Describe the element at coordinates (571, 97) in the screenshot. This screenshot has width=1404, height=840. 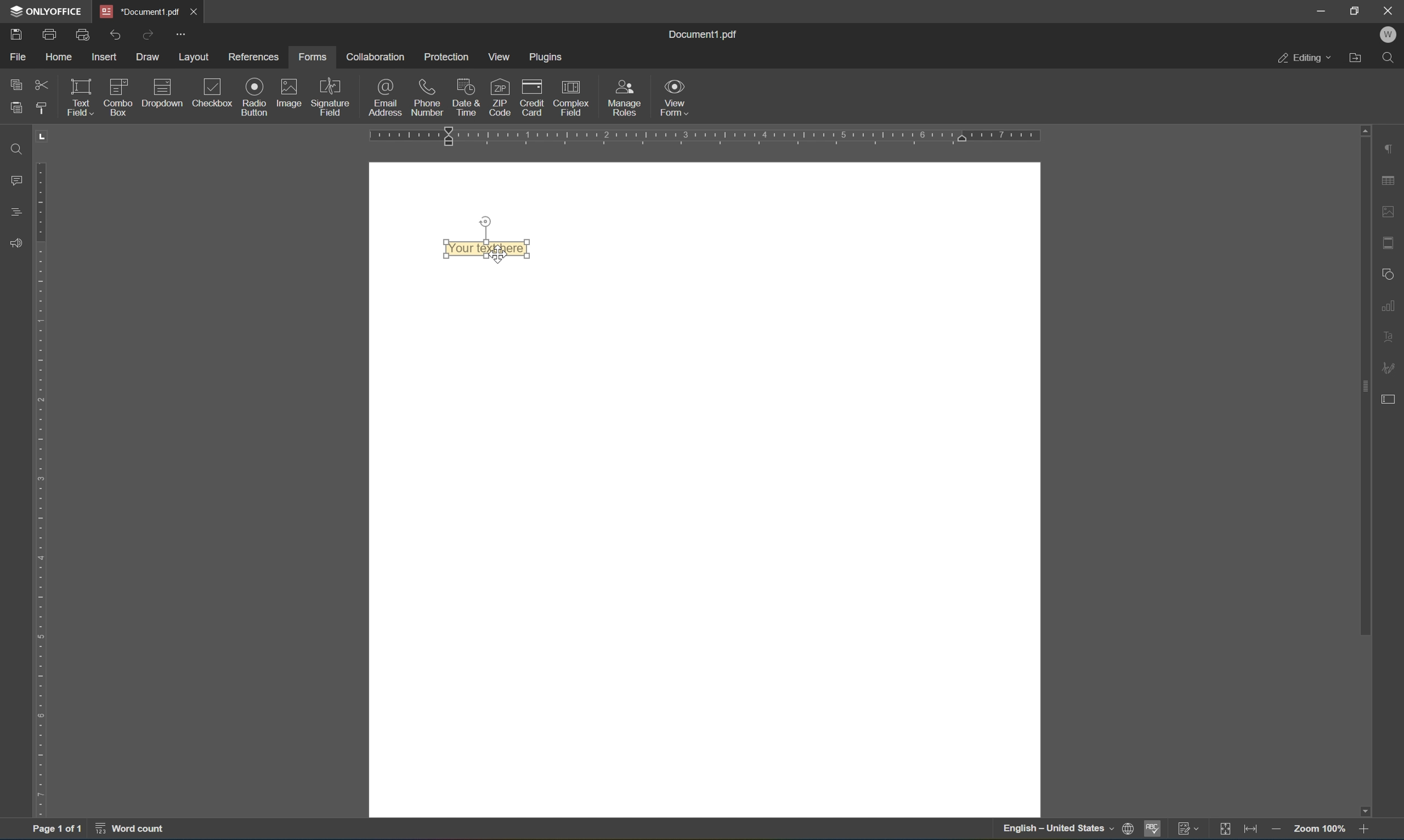
I see `complex field` at that location.